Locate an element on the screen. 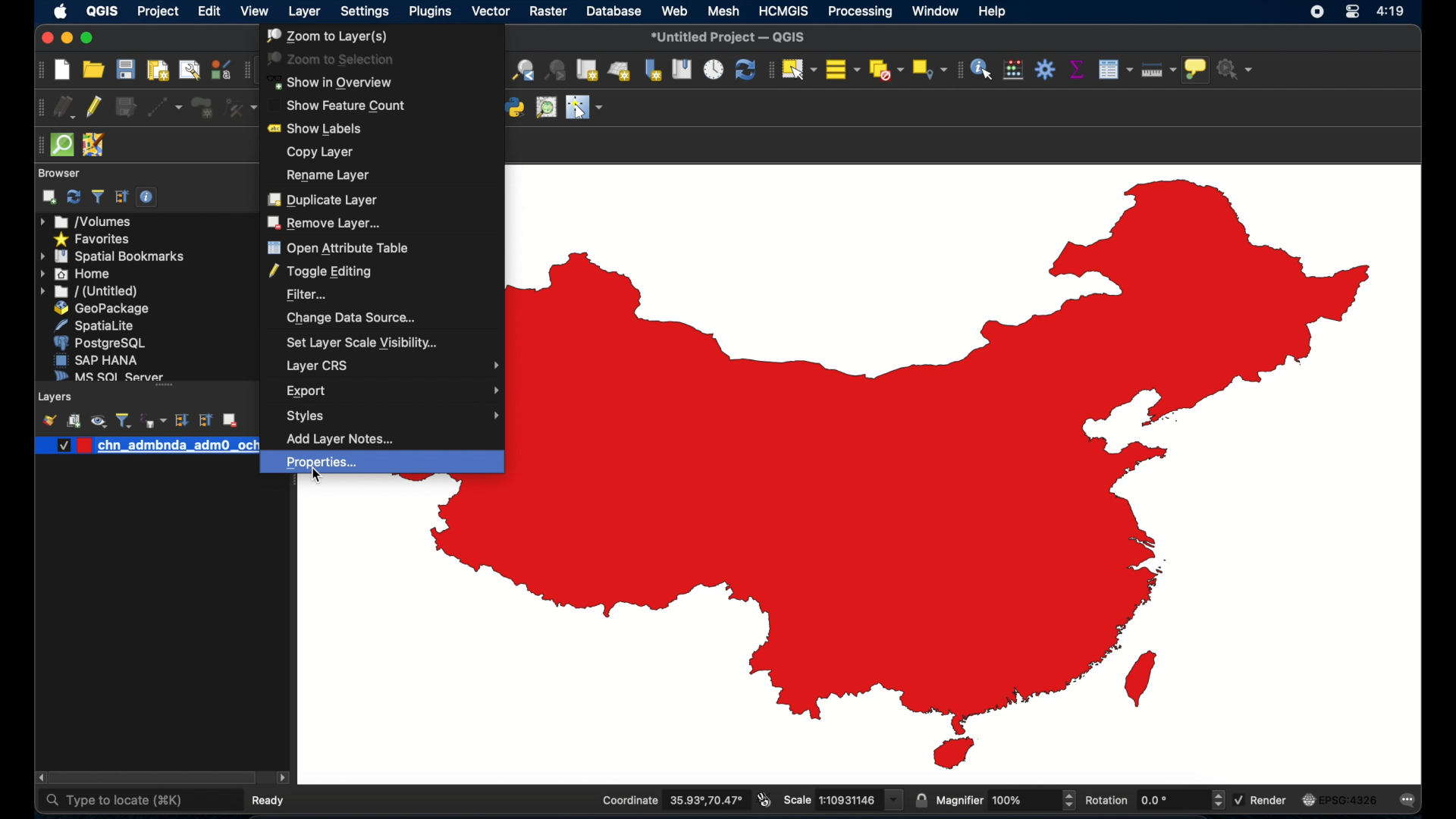 The width and height of the screenshot is (1456, 819). add layer notes is located at coordinates (340, 438).